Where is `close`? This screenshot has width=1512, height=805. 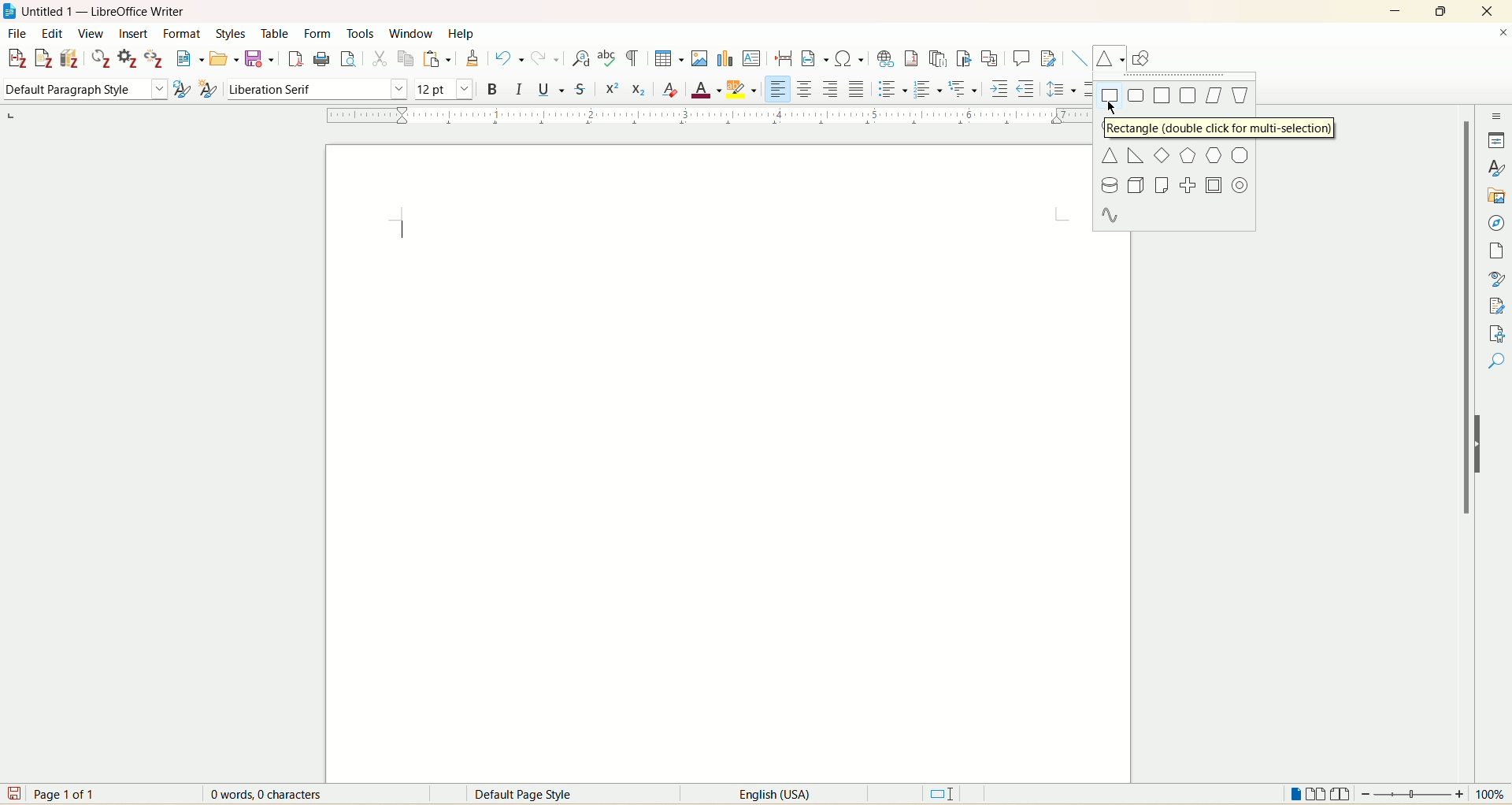 close is located at coordinates (1485, 12).